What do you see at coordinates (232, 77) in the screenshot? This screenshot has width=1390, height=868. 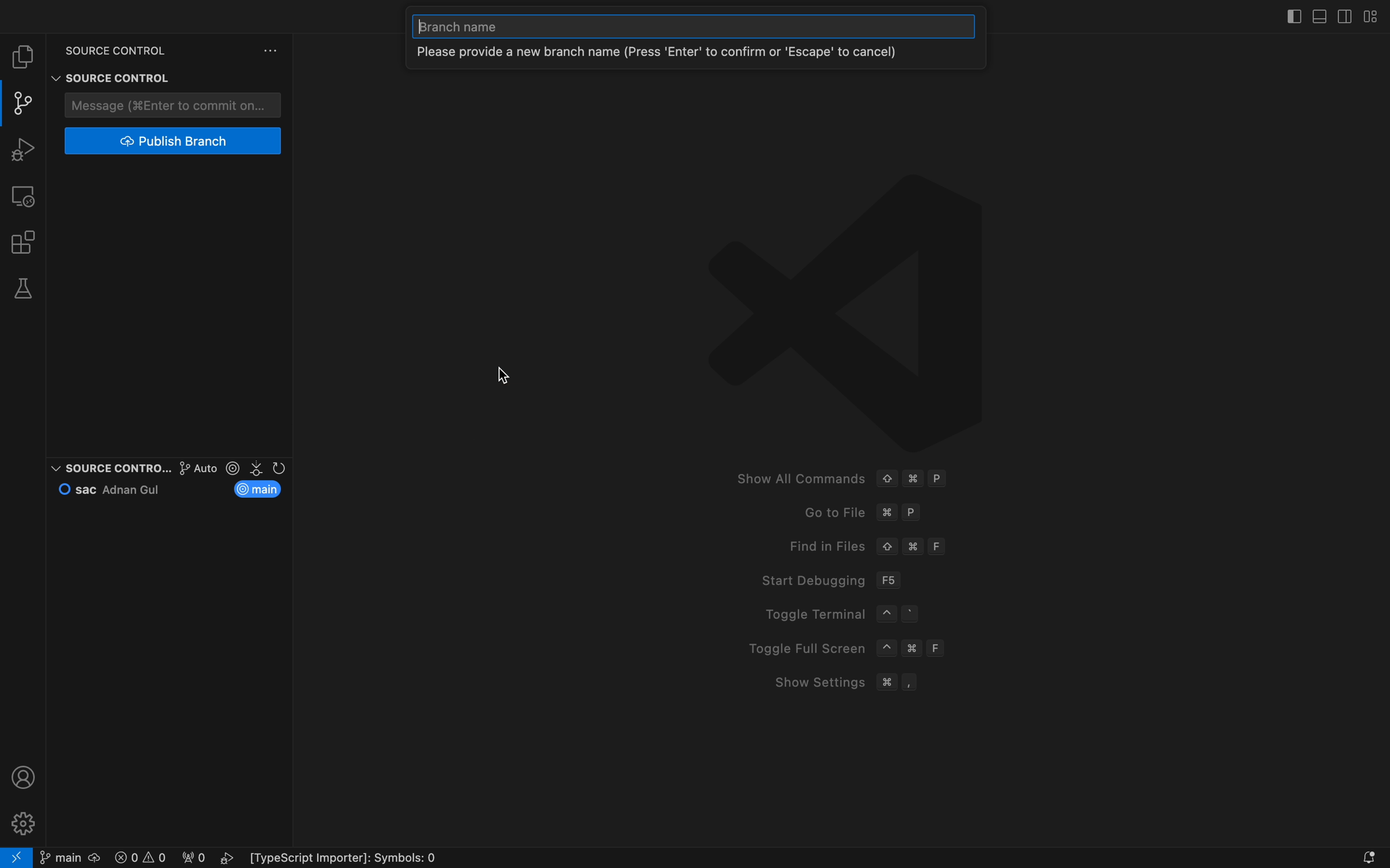 I see `restore` at bounding box center [232, 77].